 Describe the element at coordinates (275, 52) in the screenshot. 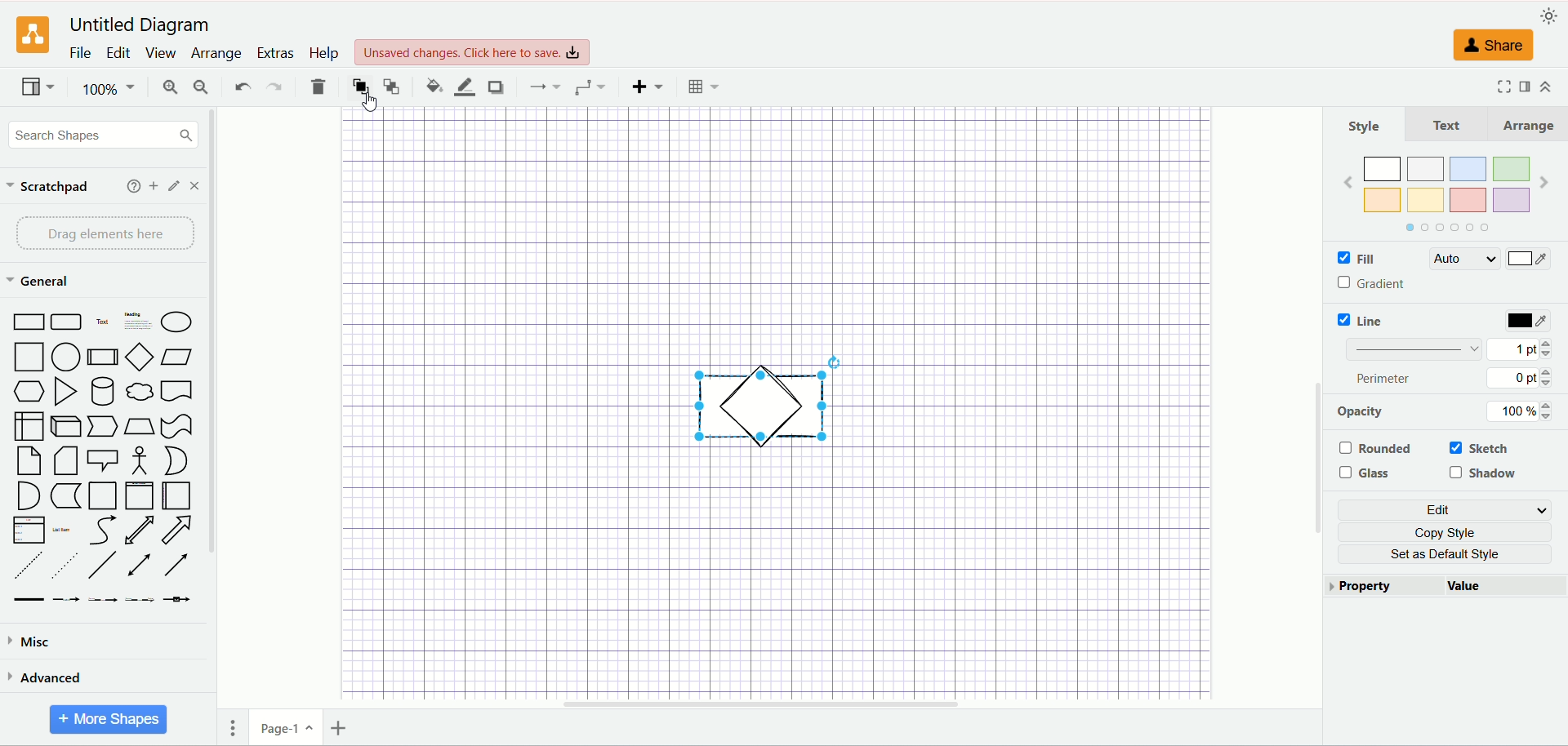

I see `extras` at that location.